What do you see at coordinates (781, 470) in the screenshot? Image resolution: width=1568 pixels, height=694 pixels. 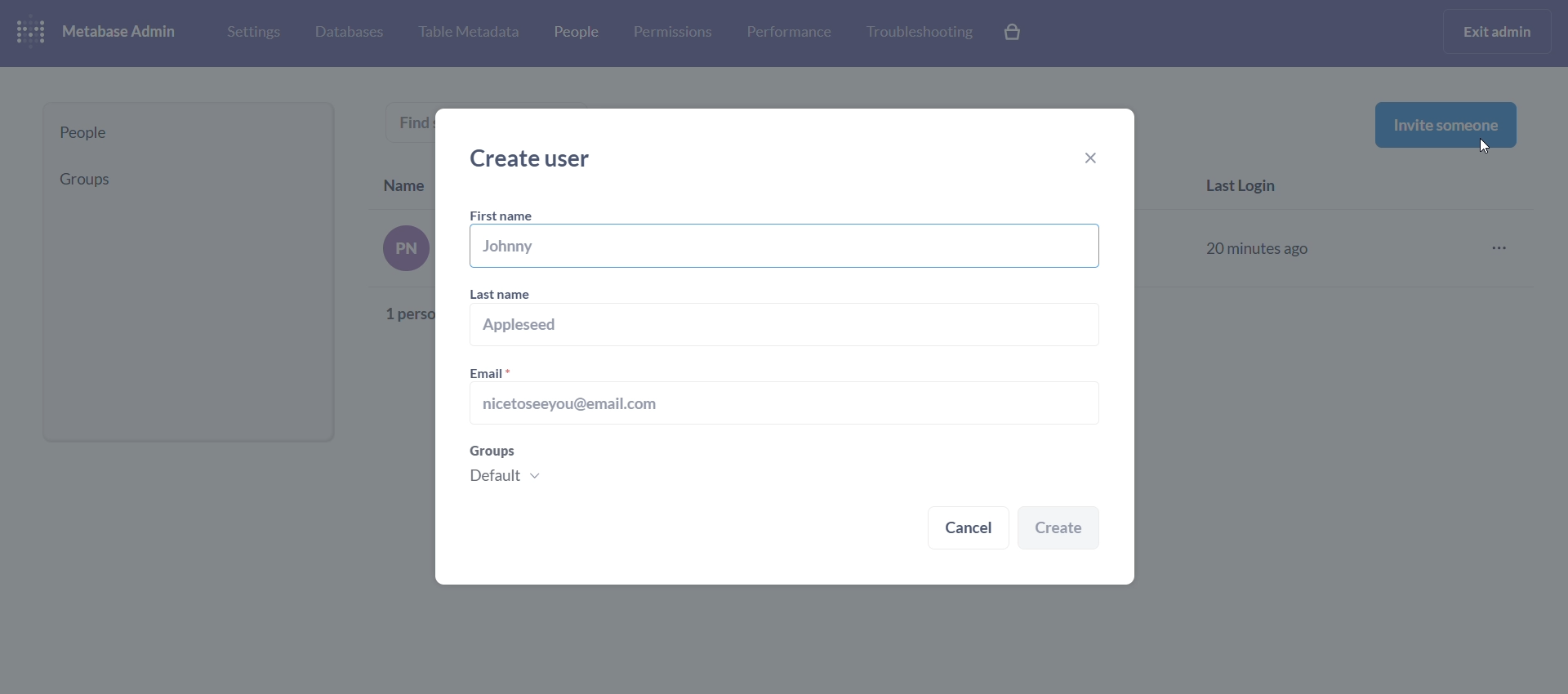 I see `groups` at bounding box center [781, 470].